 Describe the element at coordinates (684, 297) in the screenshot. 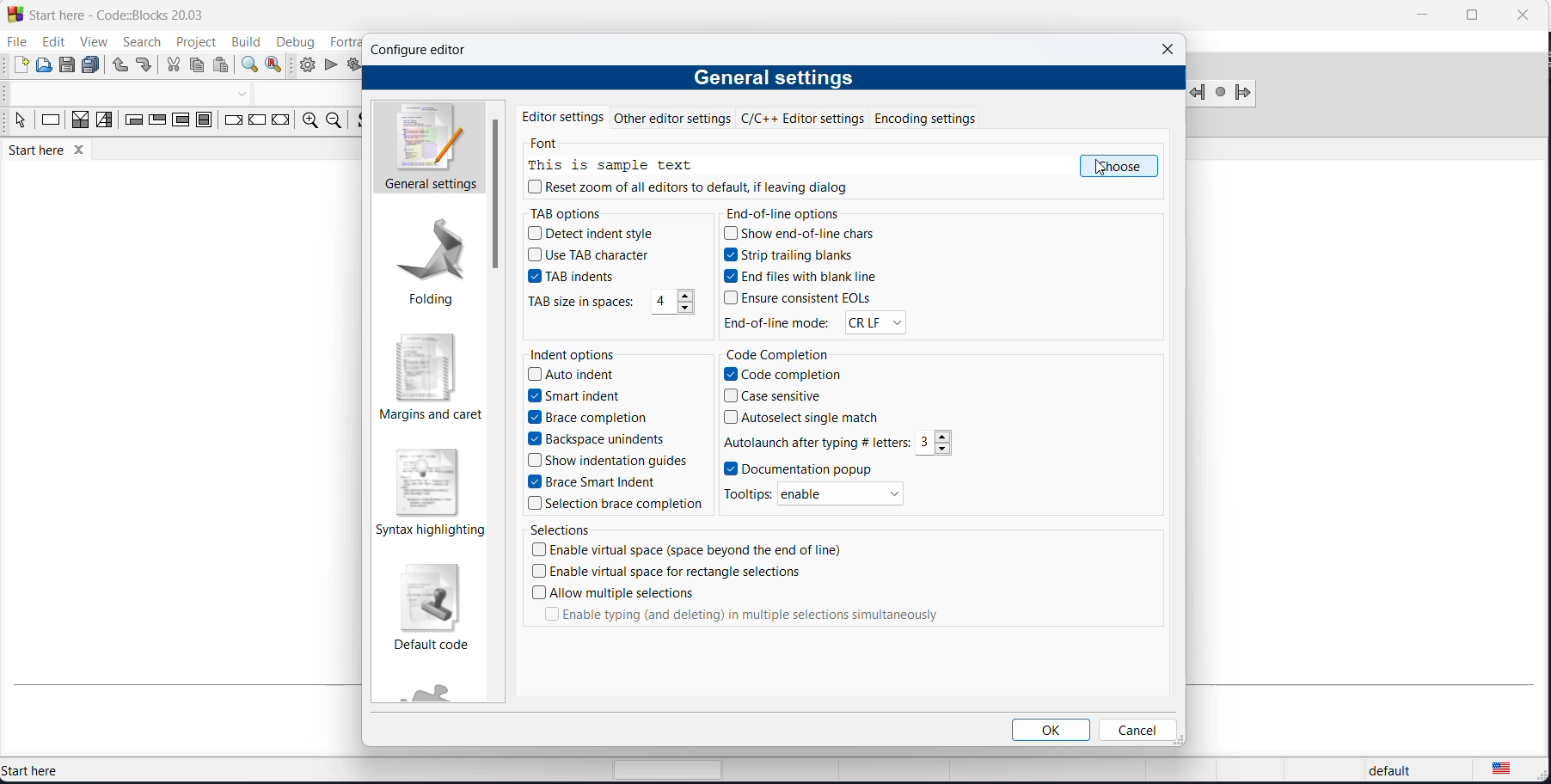

I see `increment` at that location.